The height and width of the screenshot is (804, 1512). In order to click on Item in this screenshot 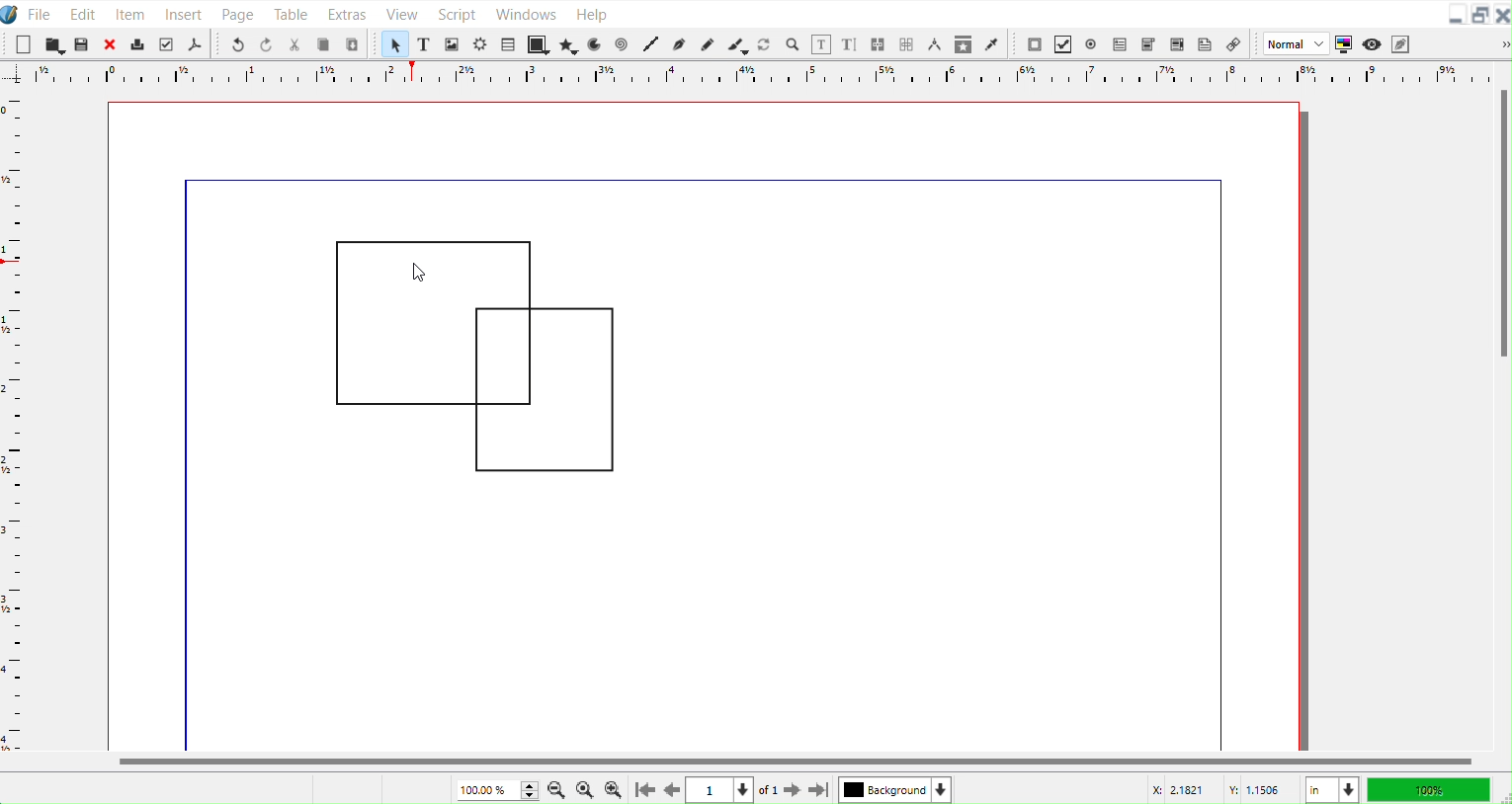, I will do `click(129, 12)`.